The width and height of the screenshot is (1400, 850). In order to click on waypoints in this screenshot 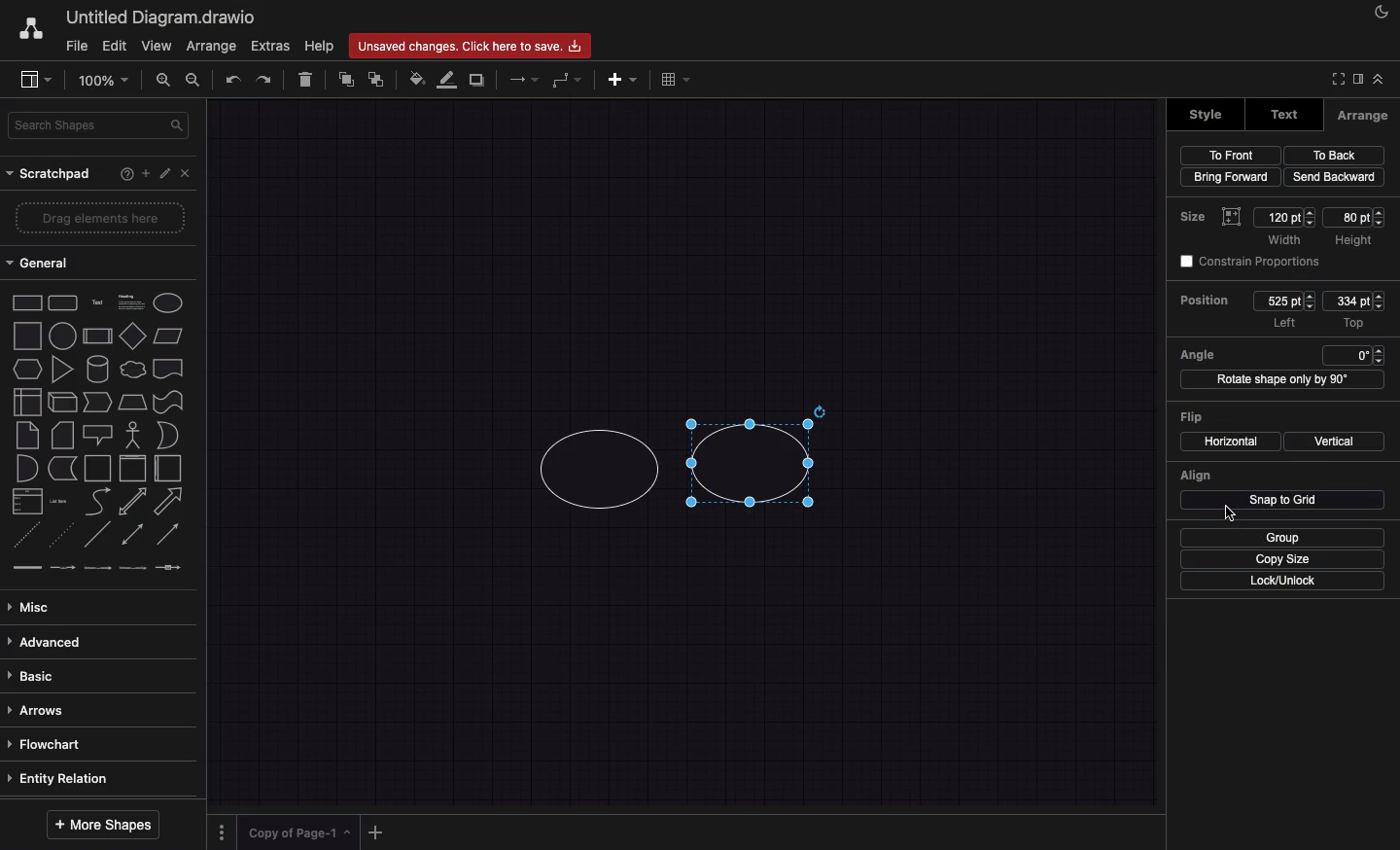, I will do `click(565, 80)`.